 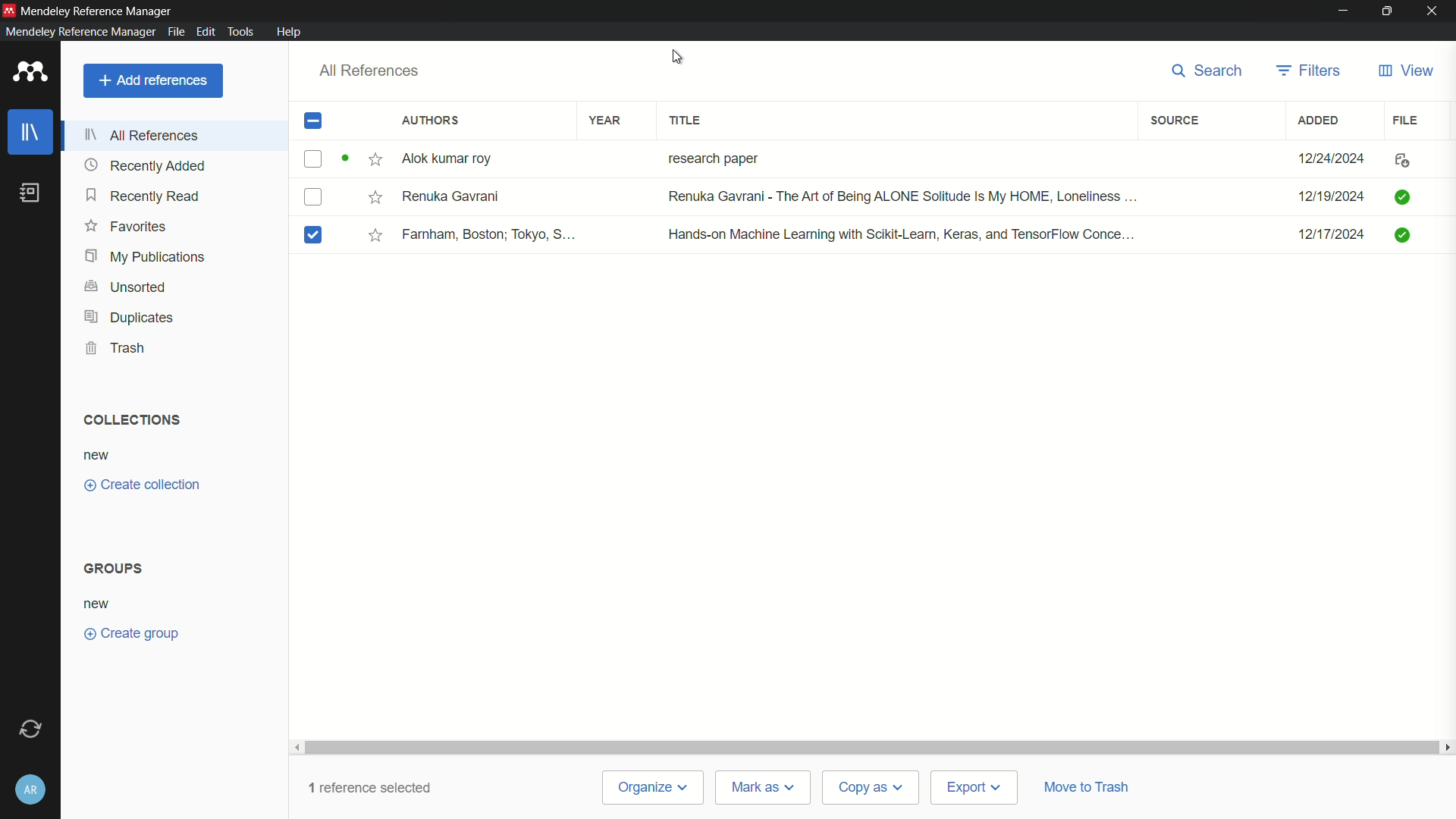 I want to click on Mendeley Reference Manager, so click(x=99, y=11).